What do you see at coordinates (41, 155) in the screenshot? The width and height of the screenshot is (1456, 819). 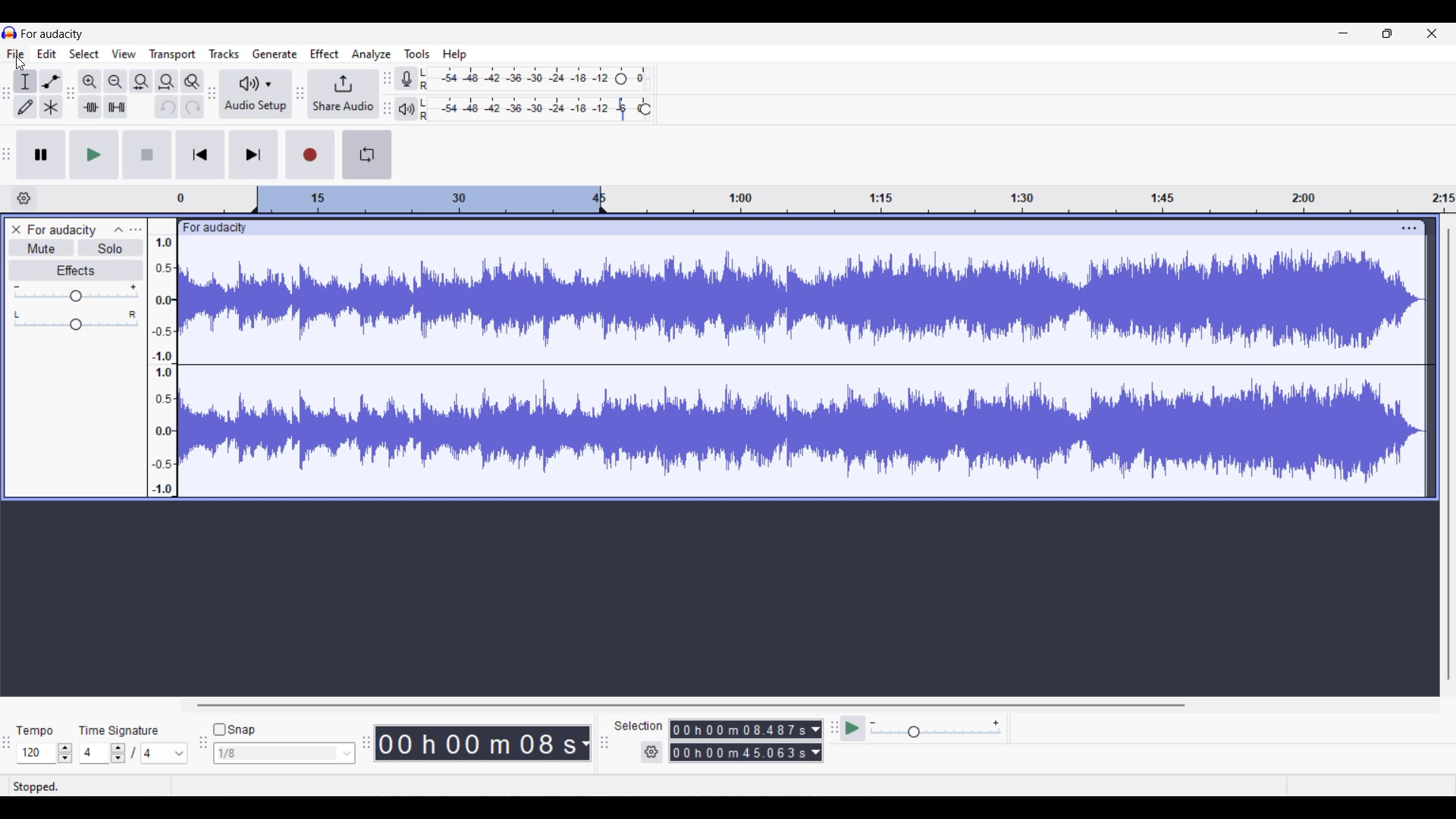 I see `Pause` at bounding box center [41, 155].